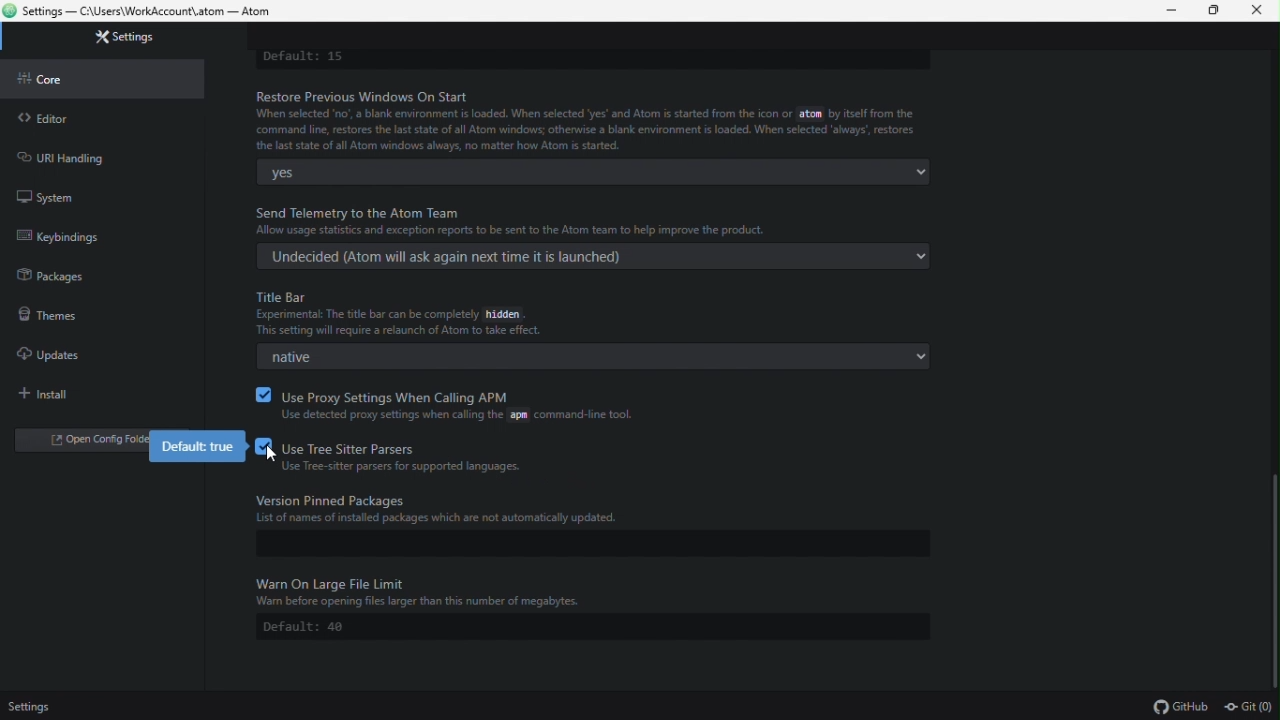  What do you see at coordinates (84, 443) in the screenshot?
I see `open folder` at bounding box center [84, 443].